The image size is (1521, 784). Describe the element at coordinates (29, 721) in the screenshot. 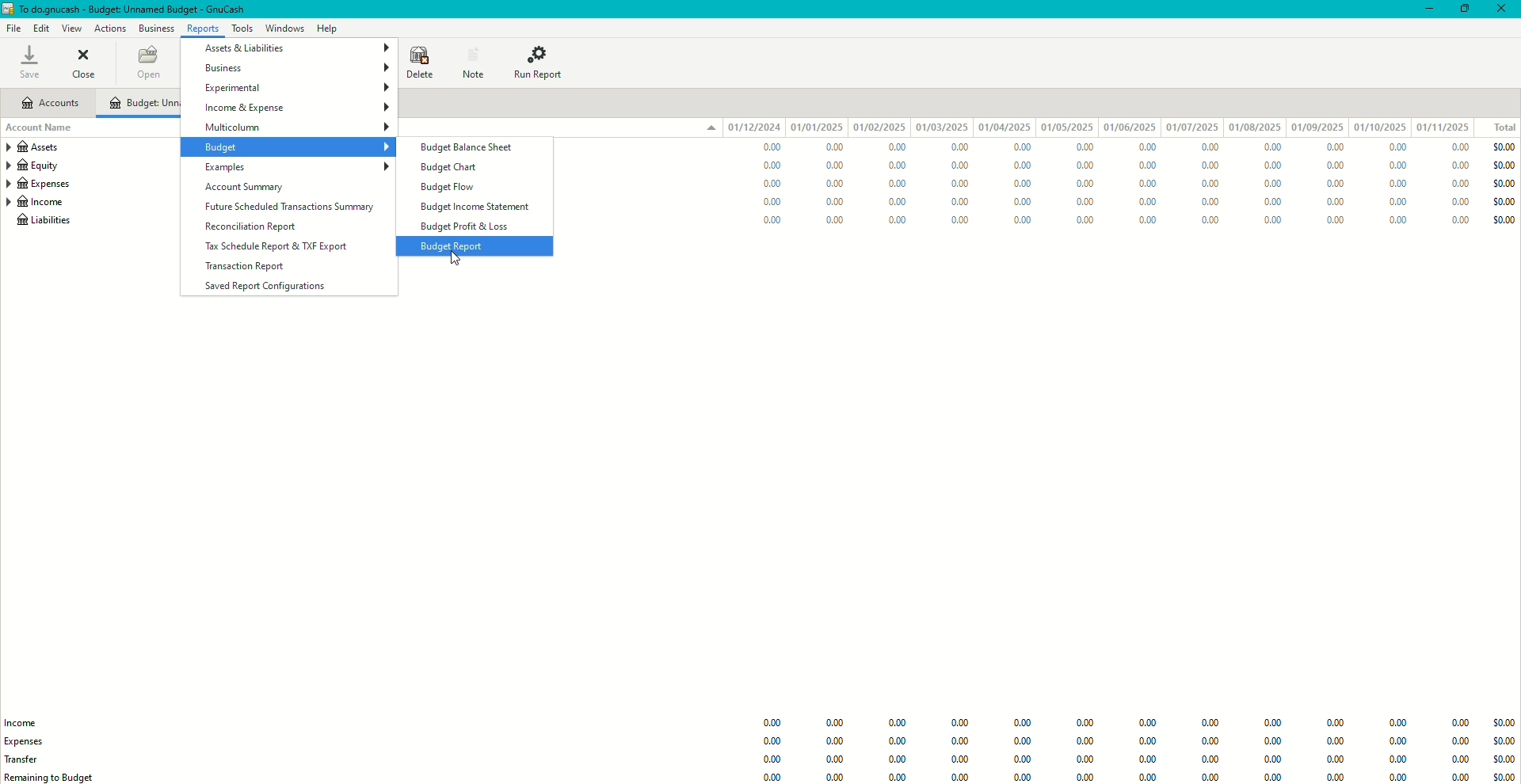

I see `Income` at that location.